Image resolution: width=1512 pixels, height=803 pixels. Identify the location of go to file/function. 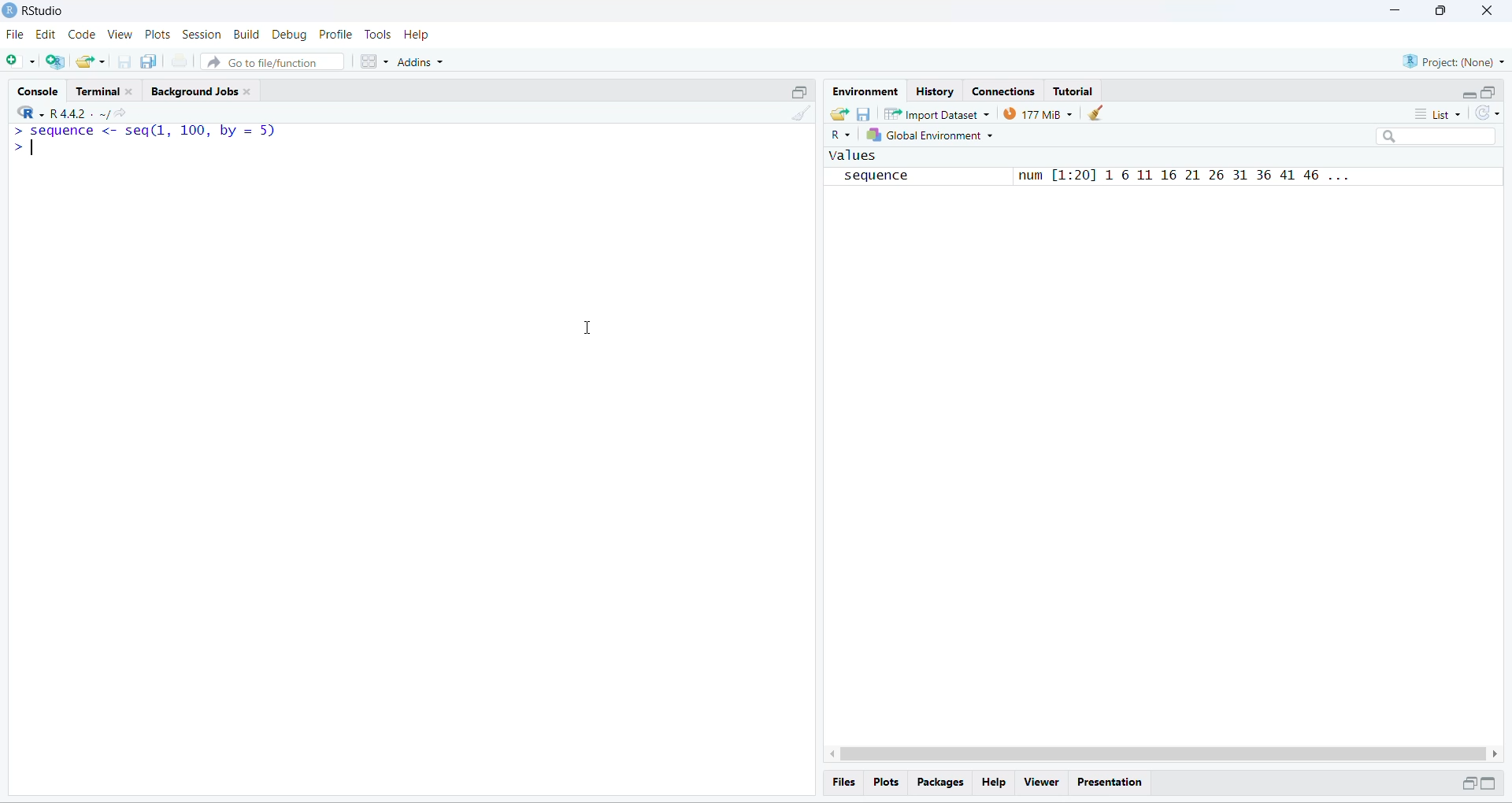
(272, 61).